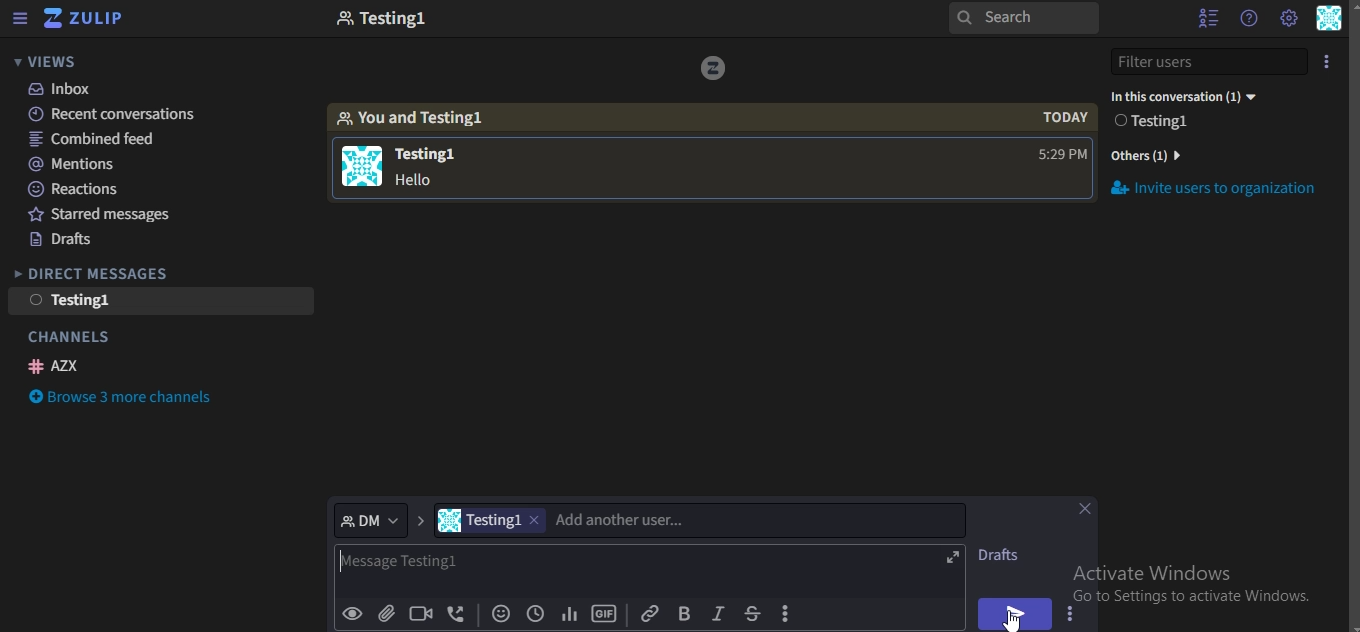  Describe the element at coordinates (751, 613) in the screenshot. I see `strikethrough` at that location.